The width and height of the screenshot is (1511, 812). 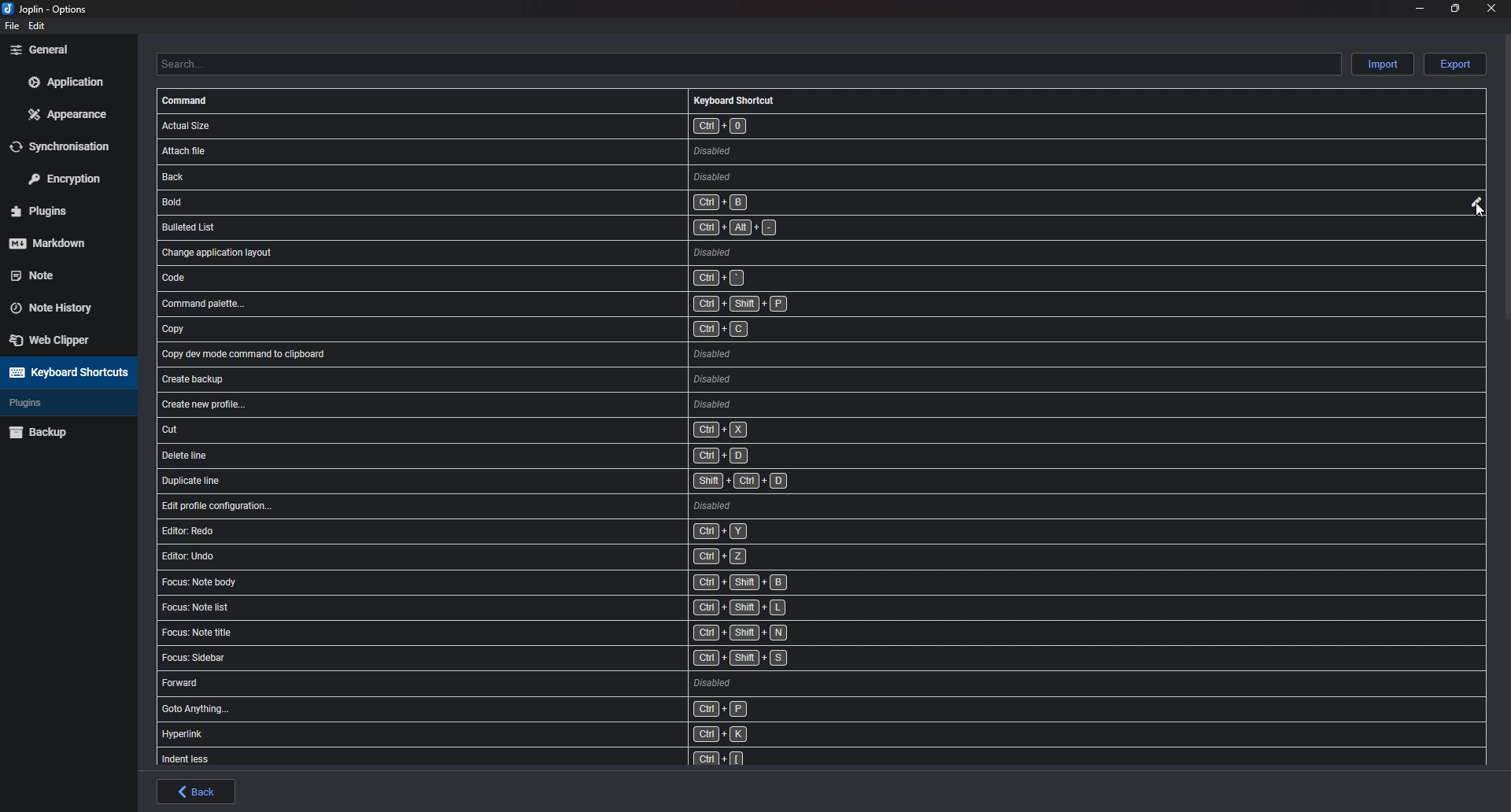 What do you see at coordinates (529, 326) in the screenshot?
I see `shortcut` at bounding box center [529, 326].